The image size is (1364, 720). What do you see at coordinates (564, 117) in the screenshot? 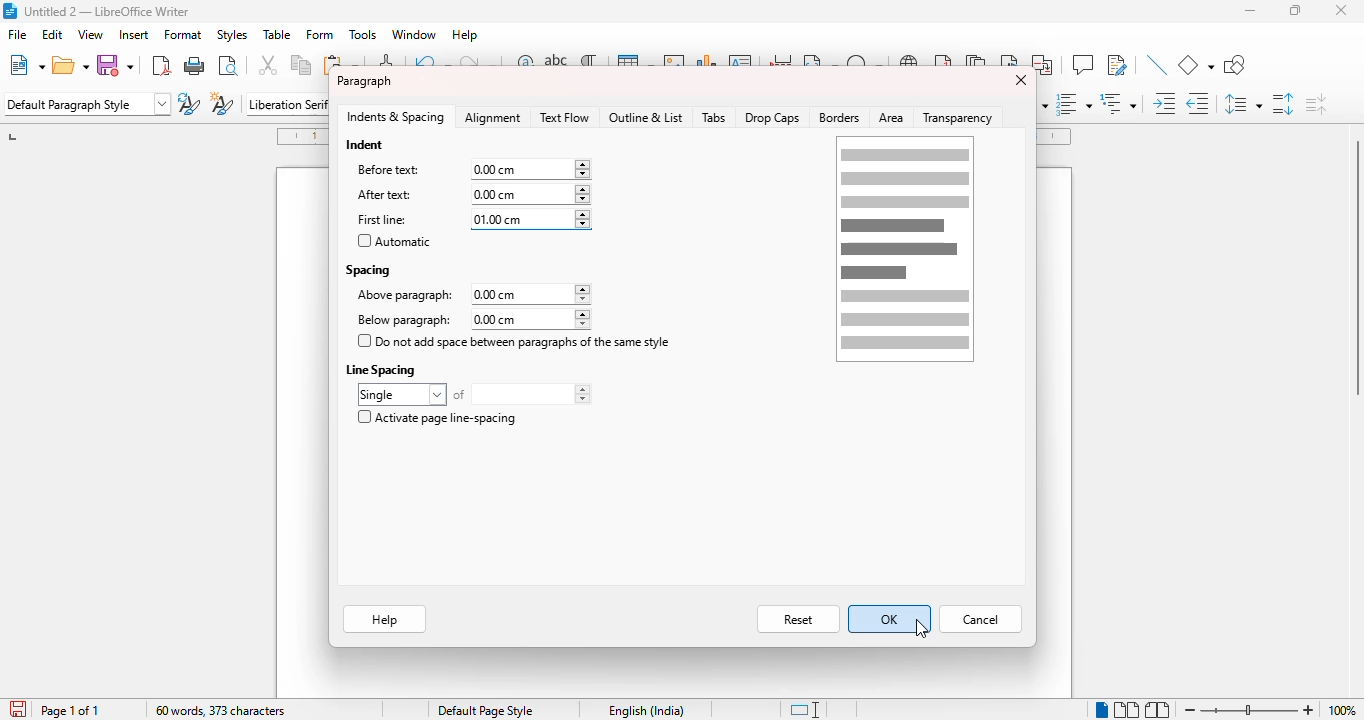
I see `text flow` at bounding box center [564, 117].